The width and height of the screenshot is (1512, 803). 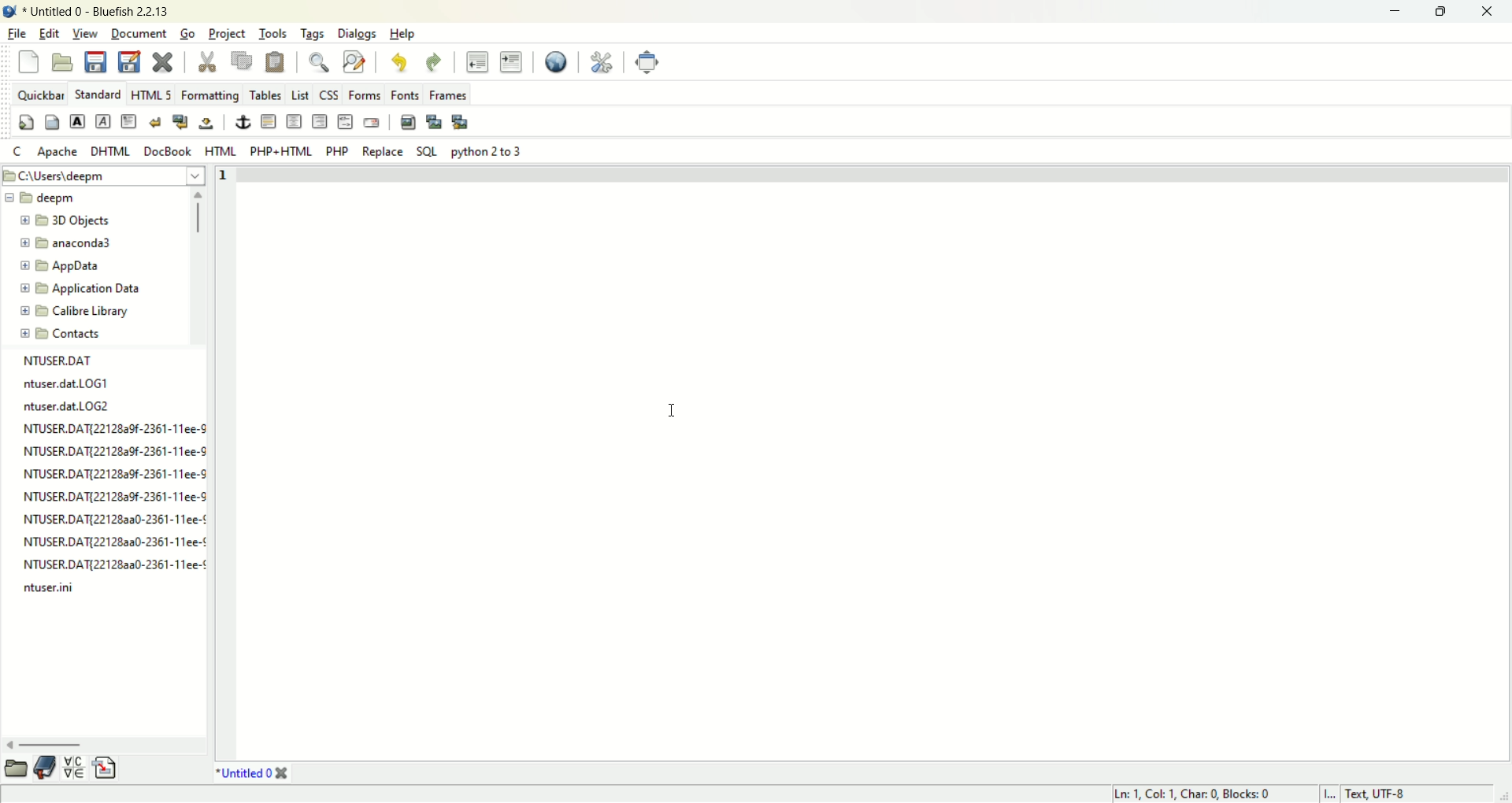 I want to click on break, so click(x=154, y=123).